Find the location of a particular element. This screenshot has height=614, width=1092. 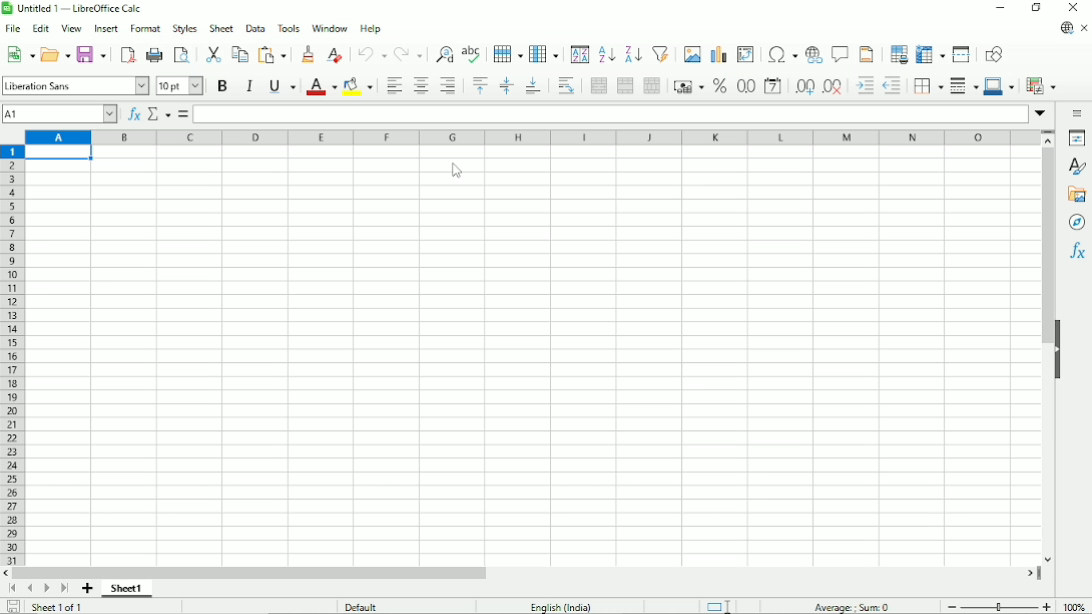

Split window is located at coordinates (963, 54).